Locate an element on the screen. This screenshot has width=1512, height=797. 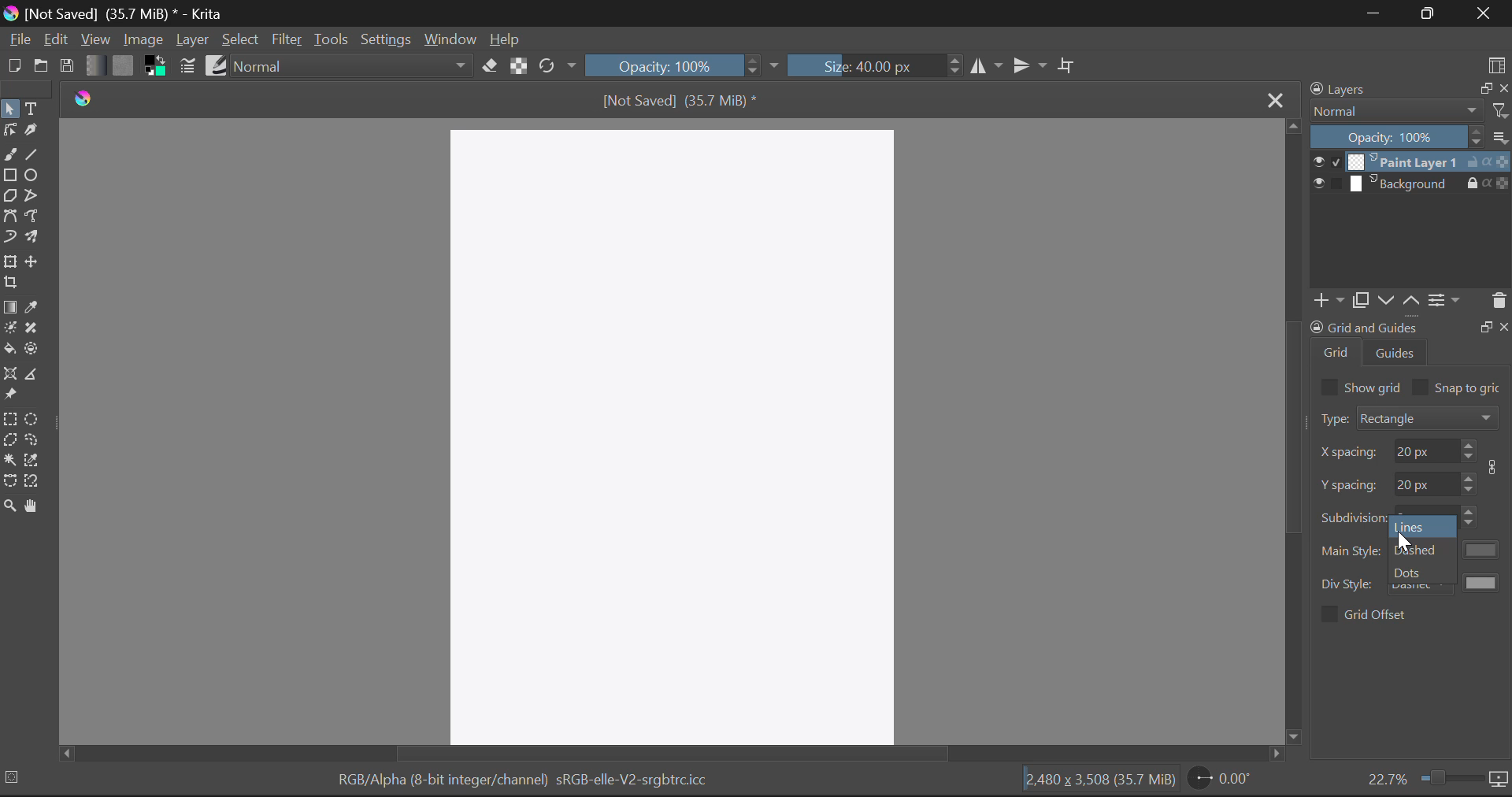
[Not Saved] (35.7 MiB) *  is located at coordinates (681, 100).